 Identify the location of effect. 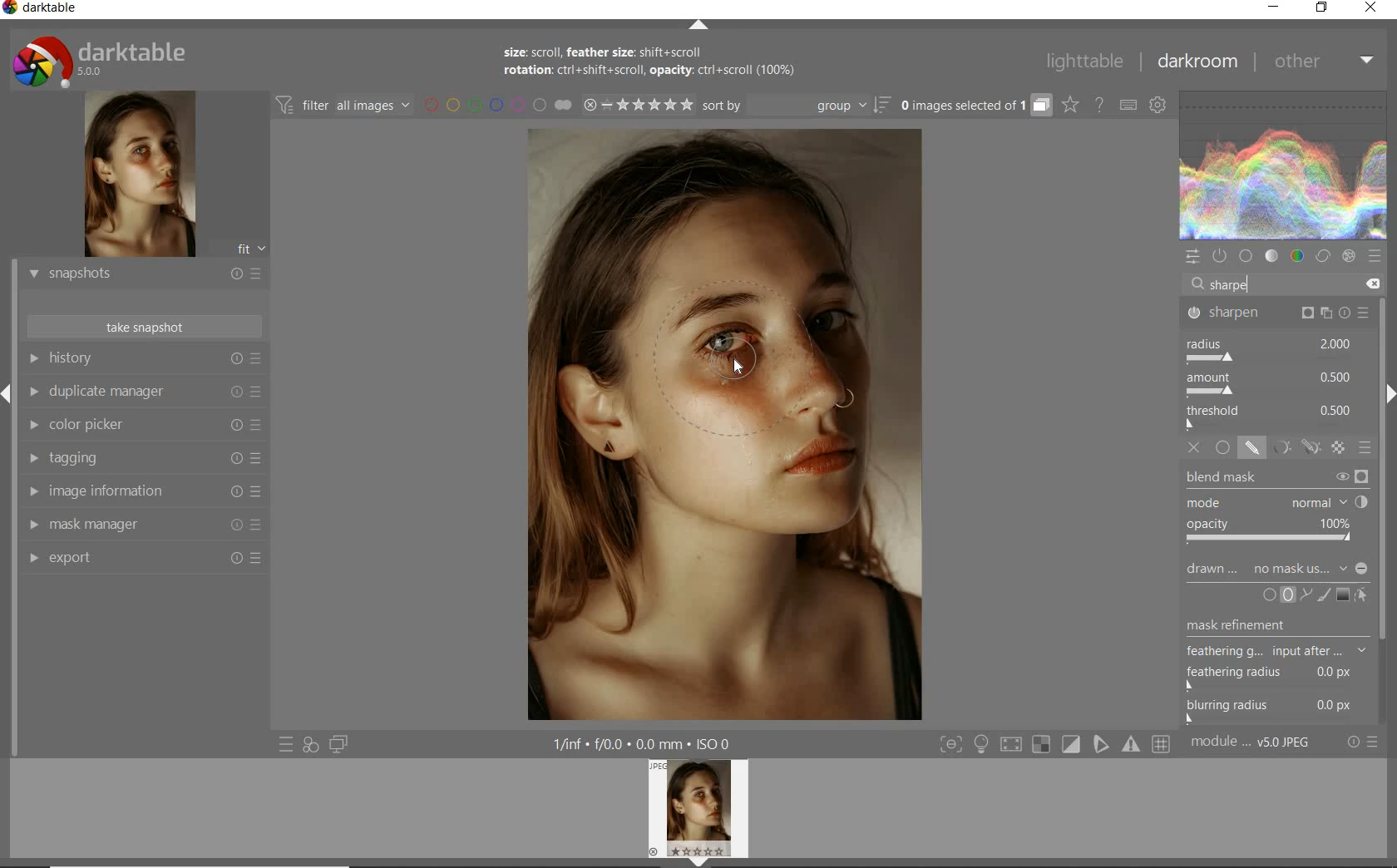
(1349, 256).